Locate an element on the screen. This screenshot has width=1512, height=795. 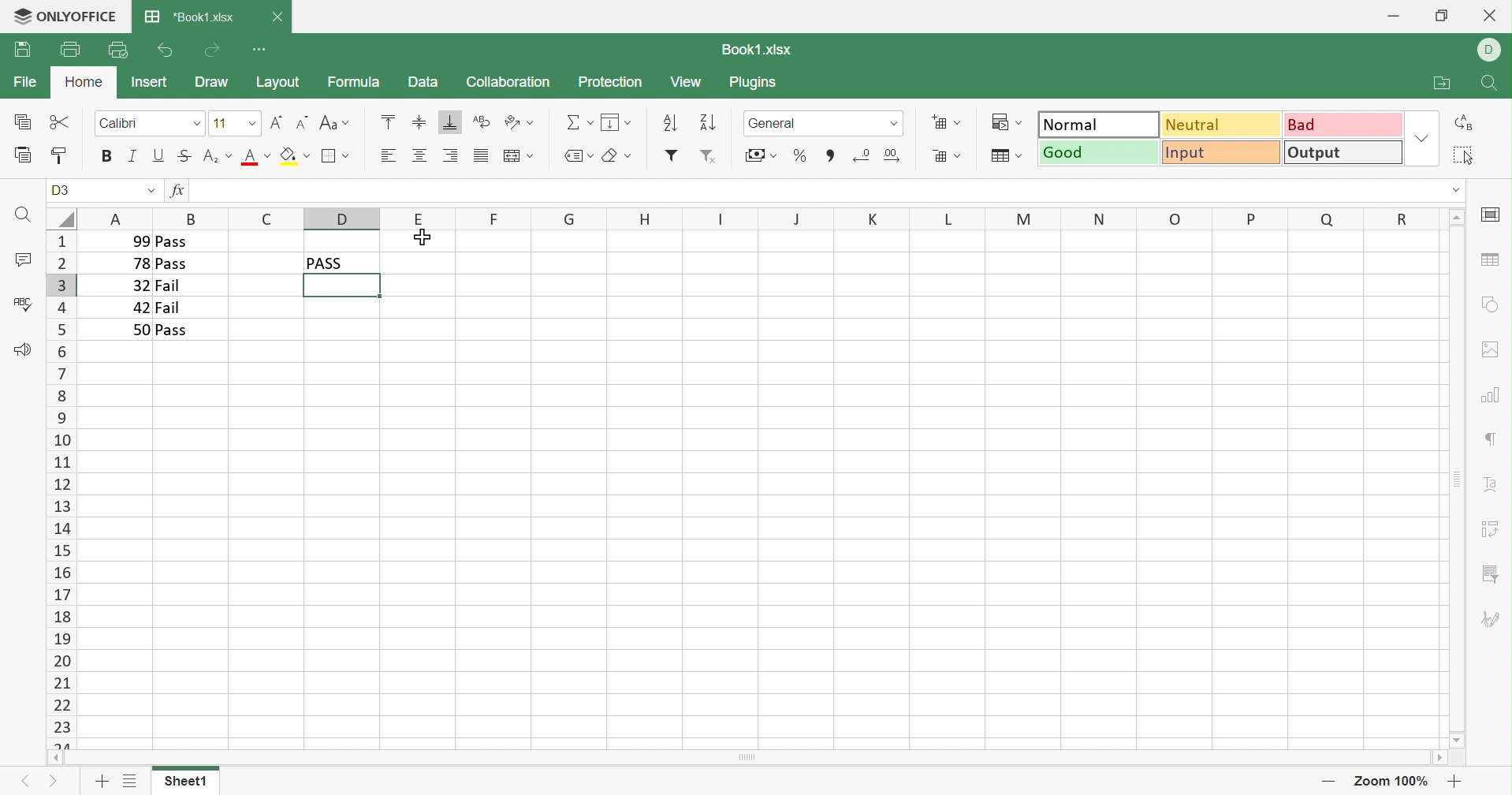
Spell checking is located at coordinates (23, 304).